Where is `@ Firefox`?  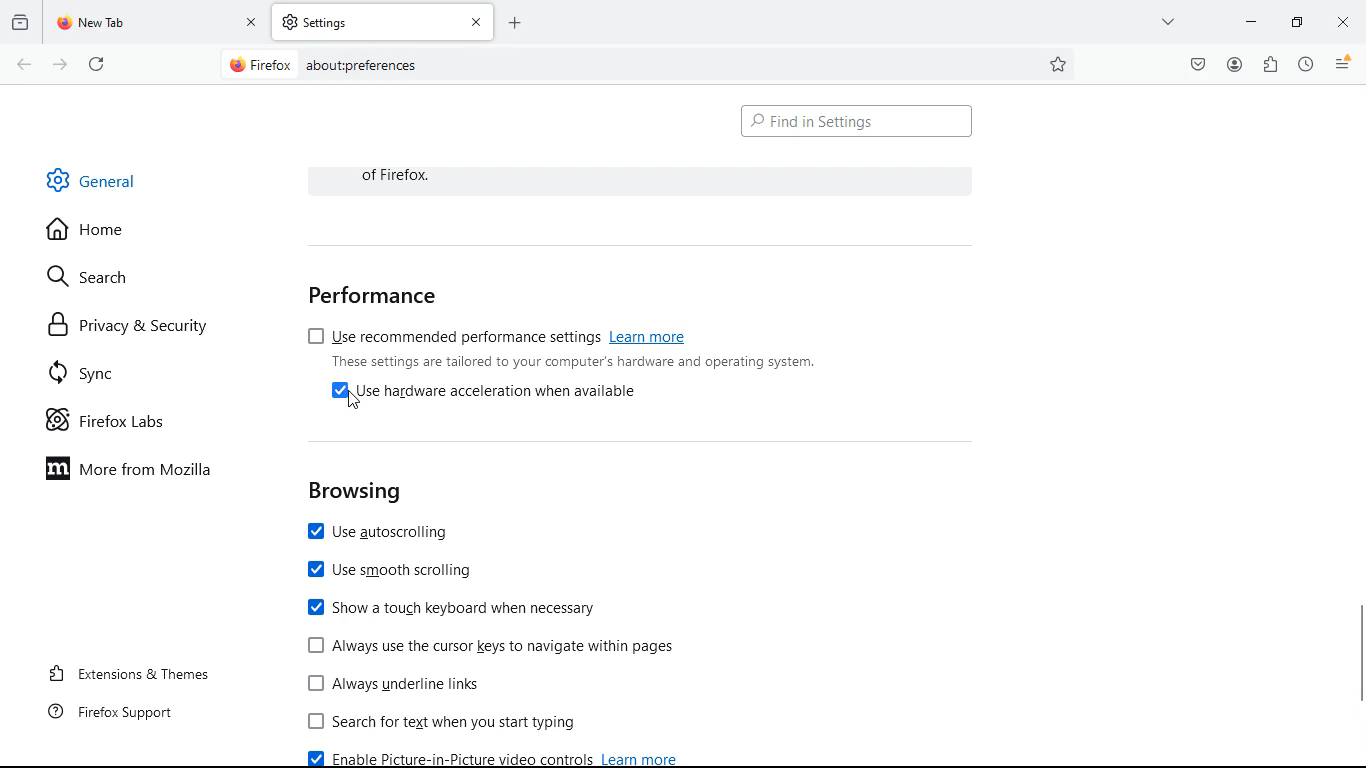 @ Firefox is located at coordinates (259, 64).